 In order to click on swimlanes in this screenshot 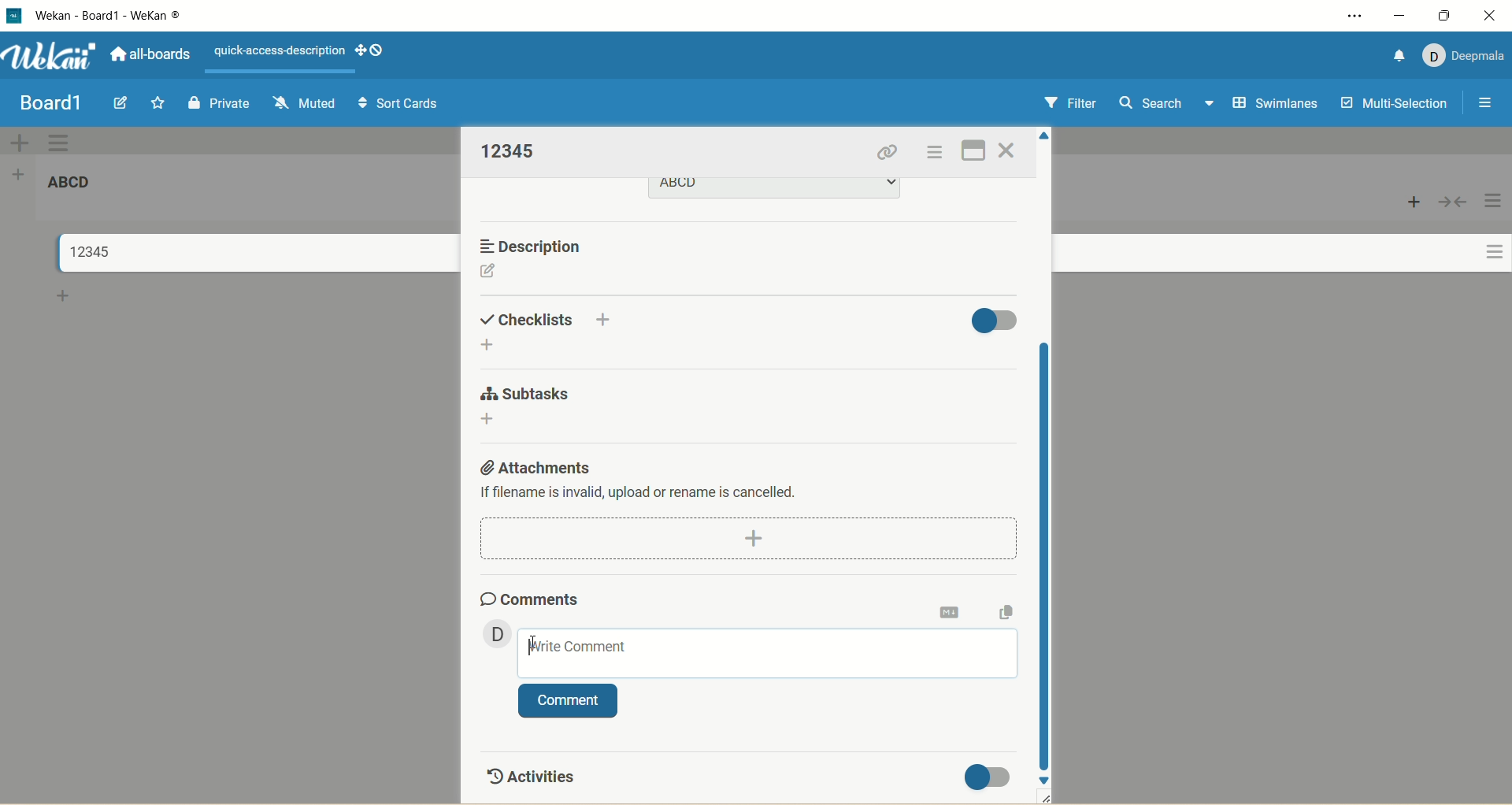, I will do `click(1277, 105)`.